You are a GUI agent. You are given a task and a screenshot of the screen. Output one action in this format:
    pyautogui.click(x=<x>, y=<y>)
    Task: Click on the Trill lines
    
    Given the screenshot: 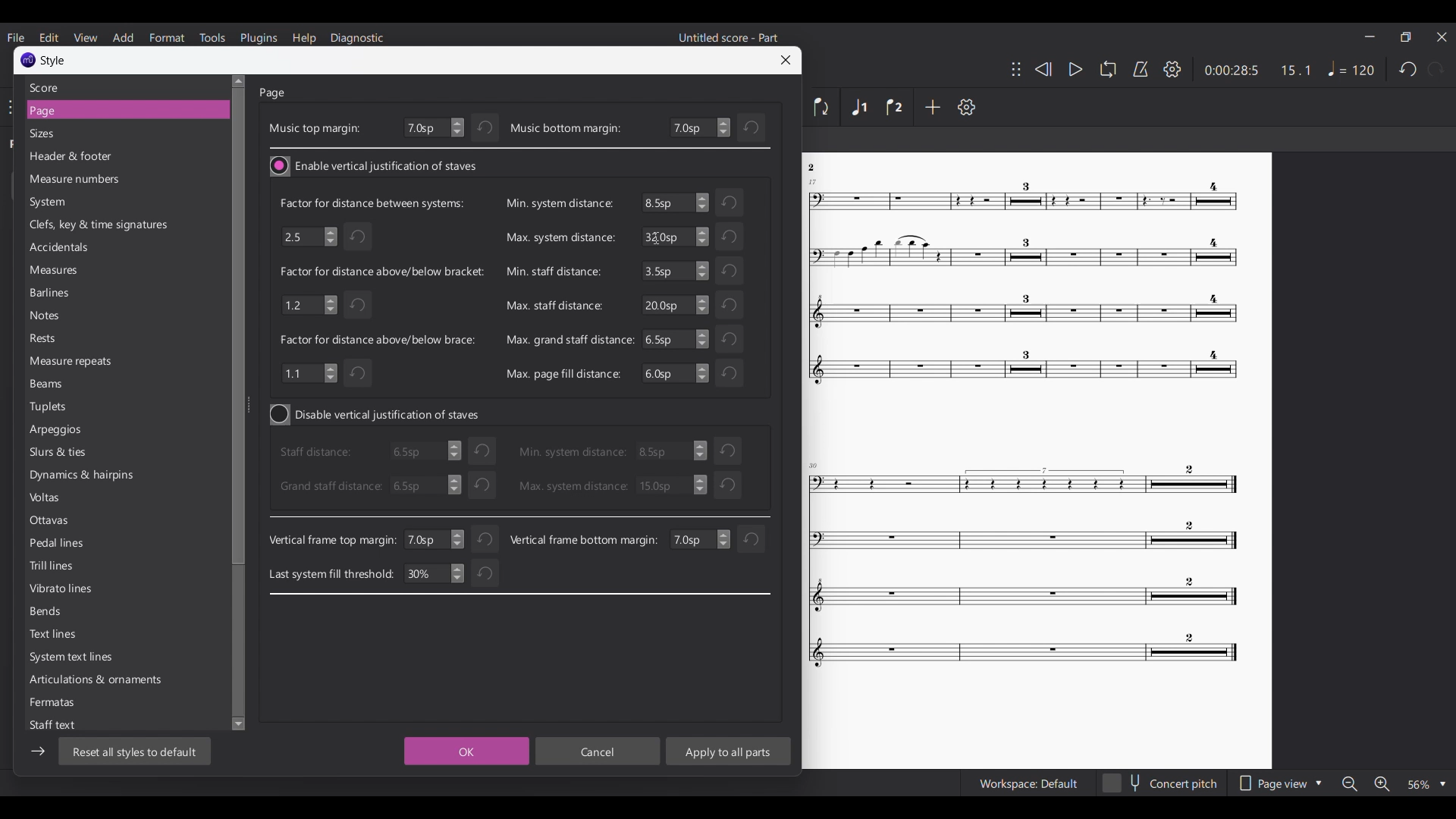 What is the action you would take?
    pyautogui.click(x=81, y=566)
    